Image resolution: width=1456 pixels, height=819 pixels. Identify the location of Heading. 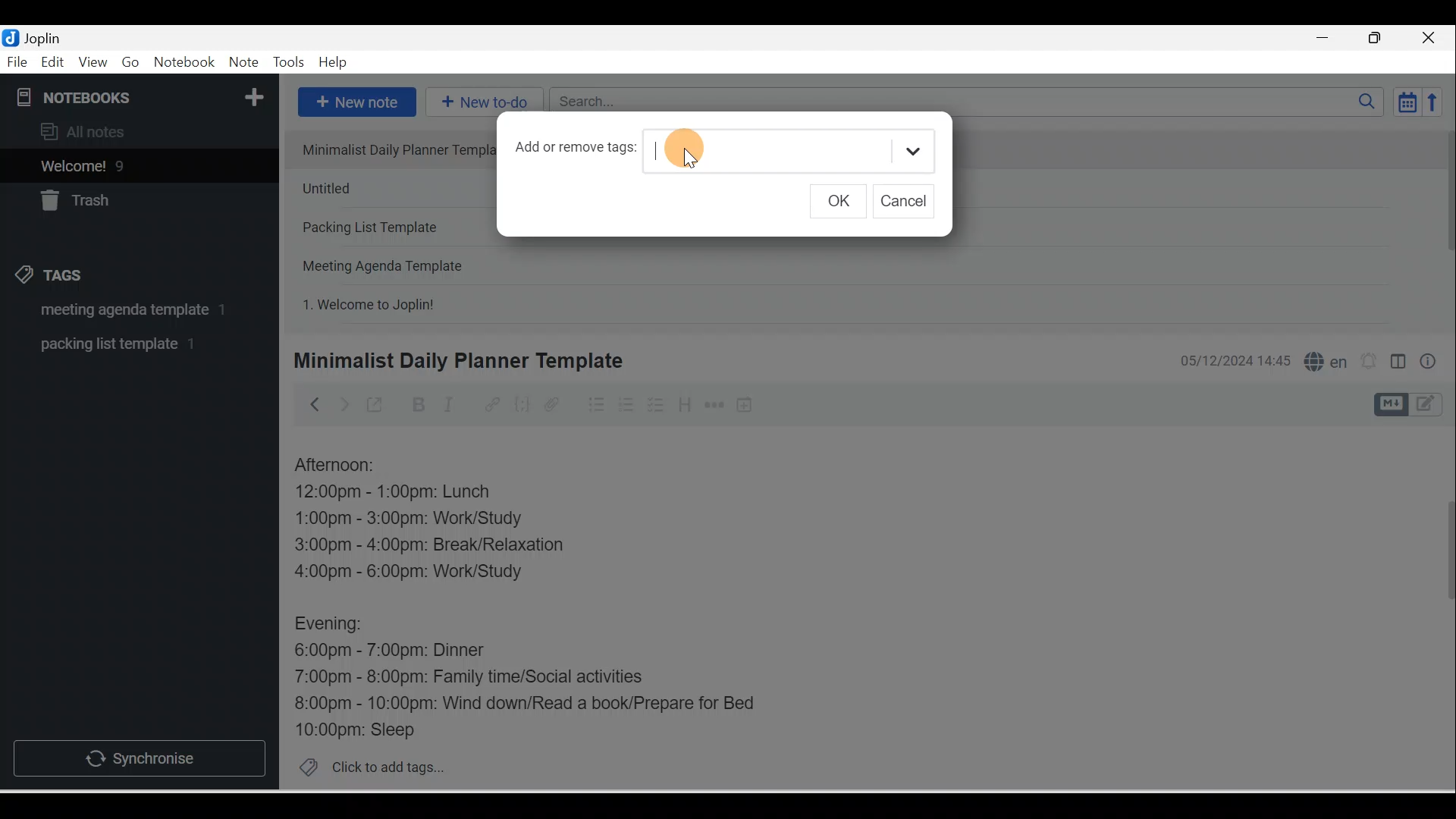
(684, 403).